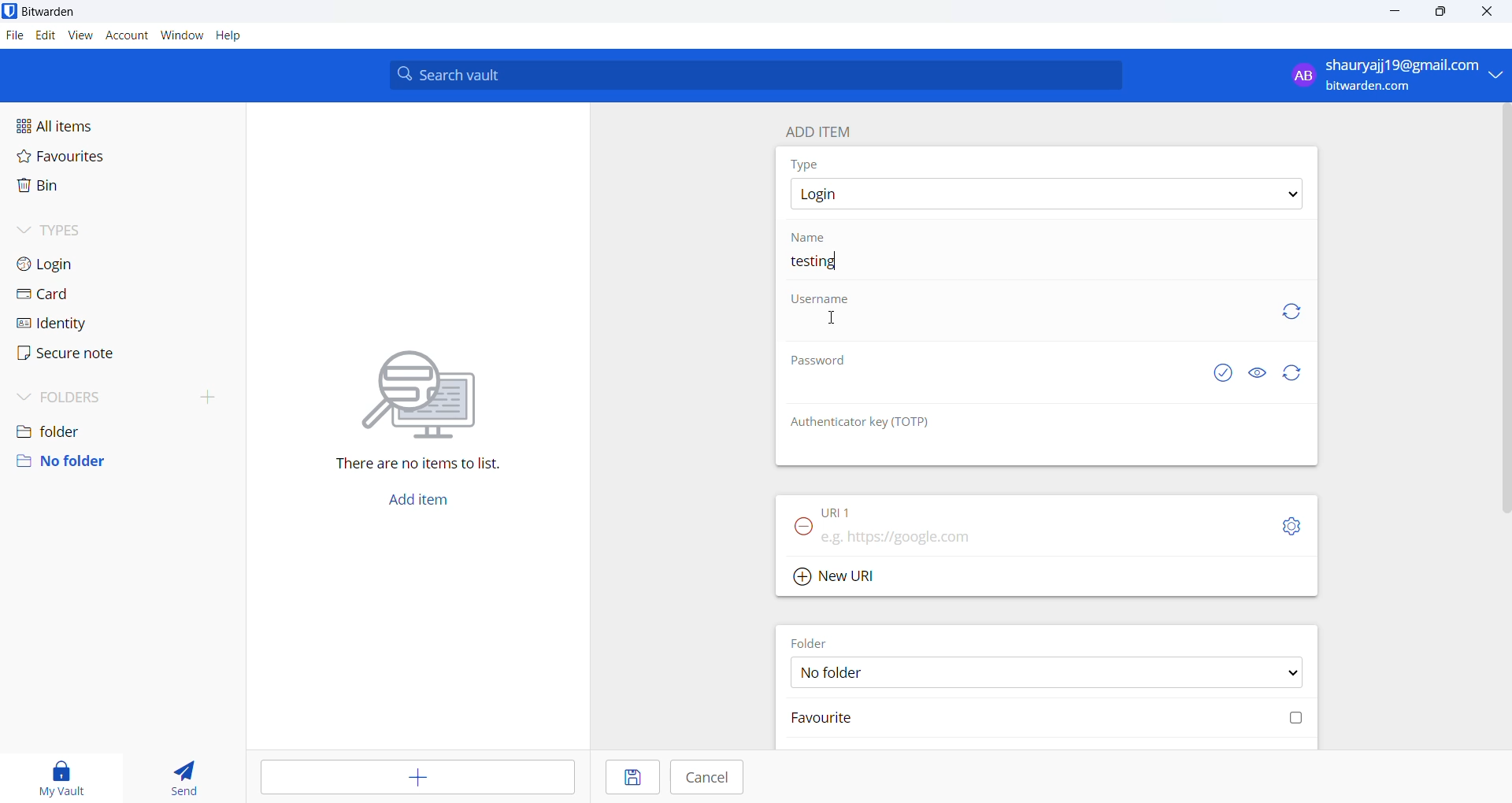 The width and height of the screenshot is (1512, 803). I want to click on save, so click(631, 776).